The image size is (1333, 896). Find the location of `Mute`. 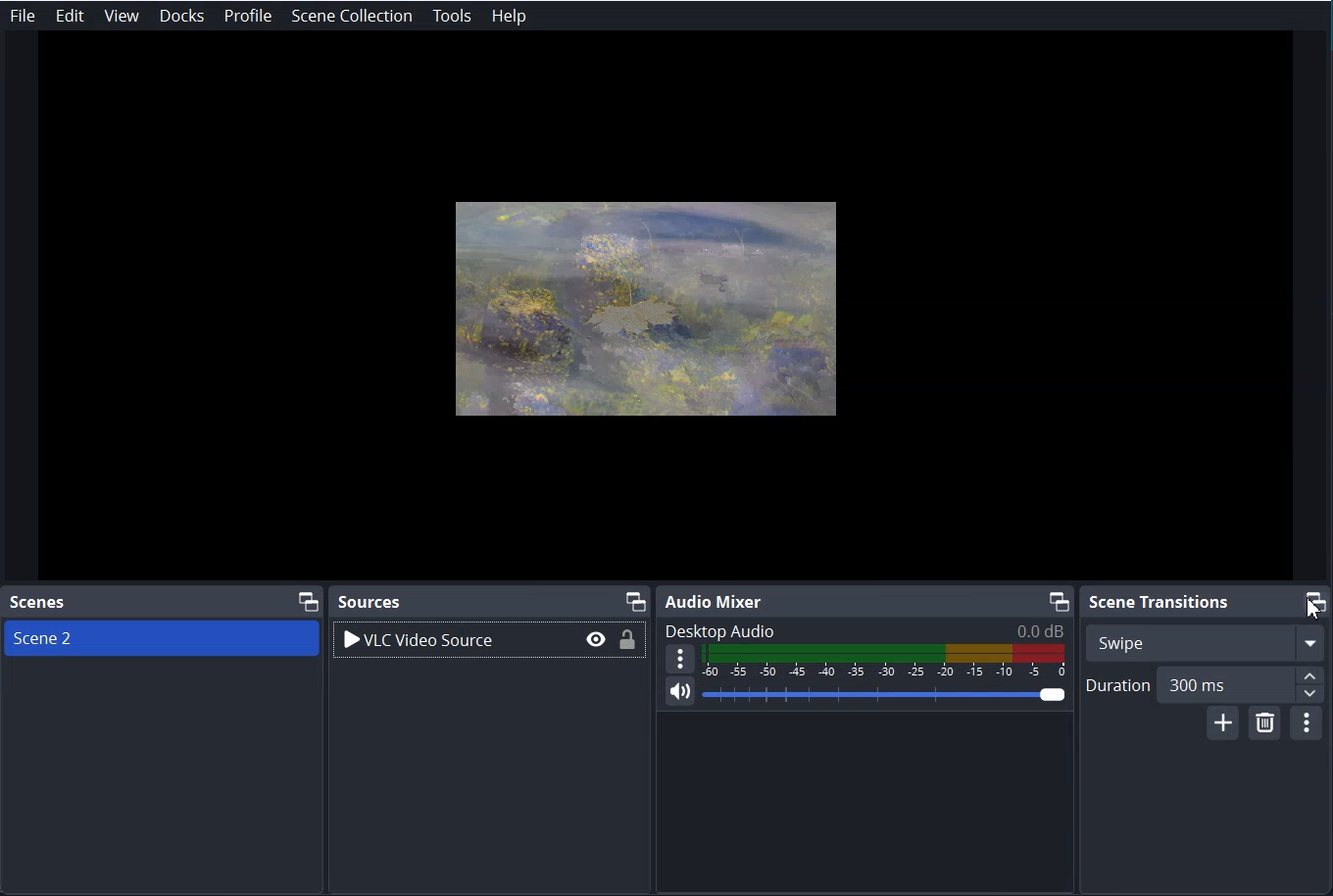

Mute is located at coordinates (680, 699).